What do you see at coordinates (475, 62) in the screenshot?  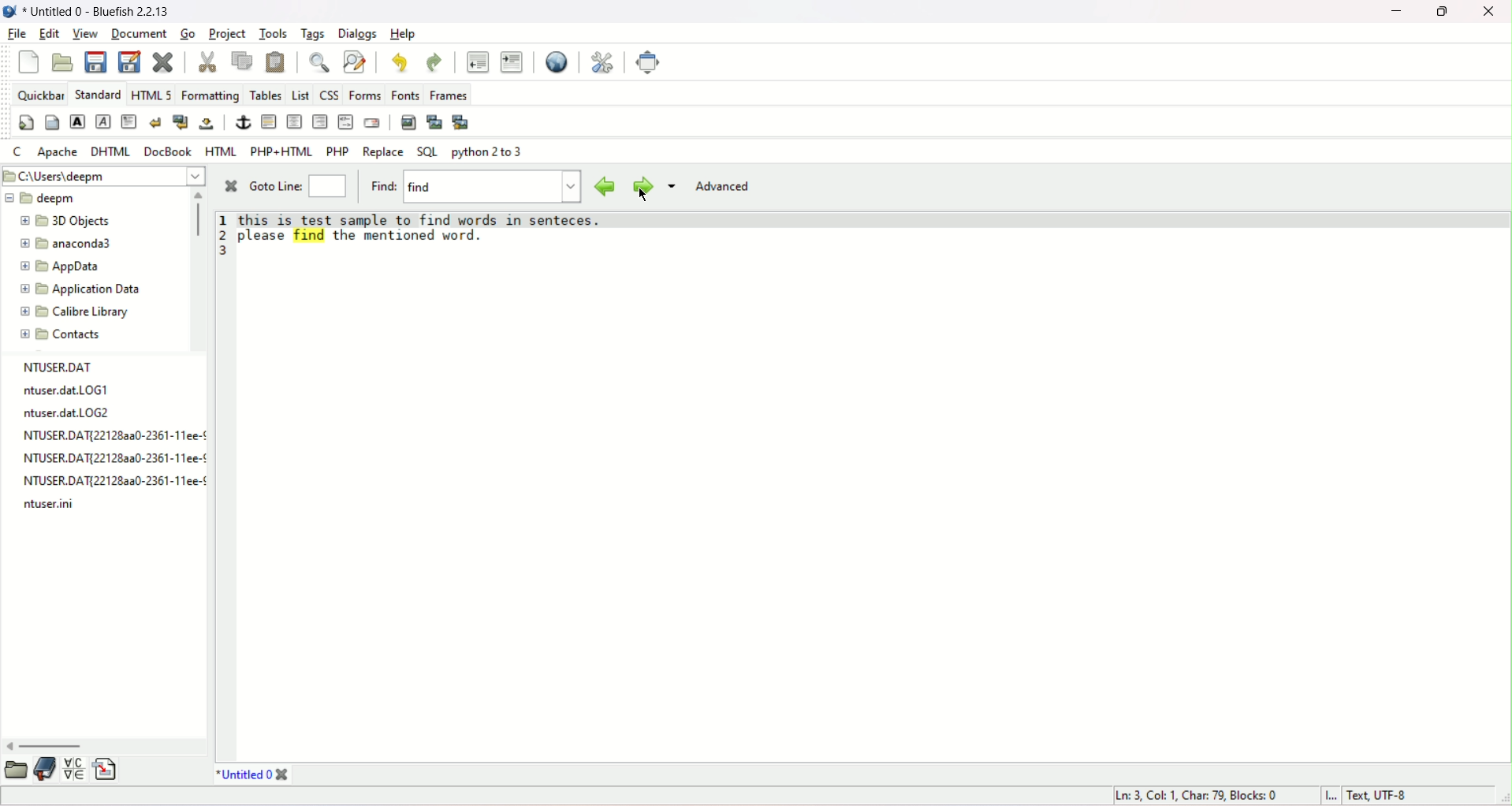 I see `unindent` at bounding box center [475, 62].